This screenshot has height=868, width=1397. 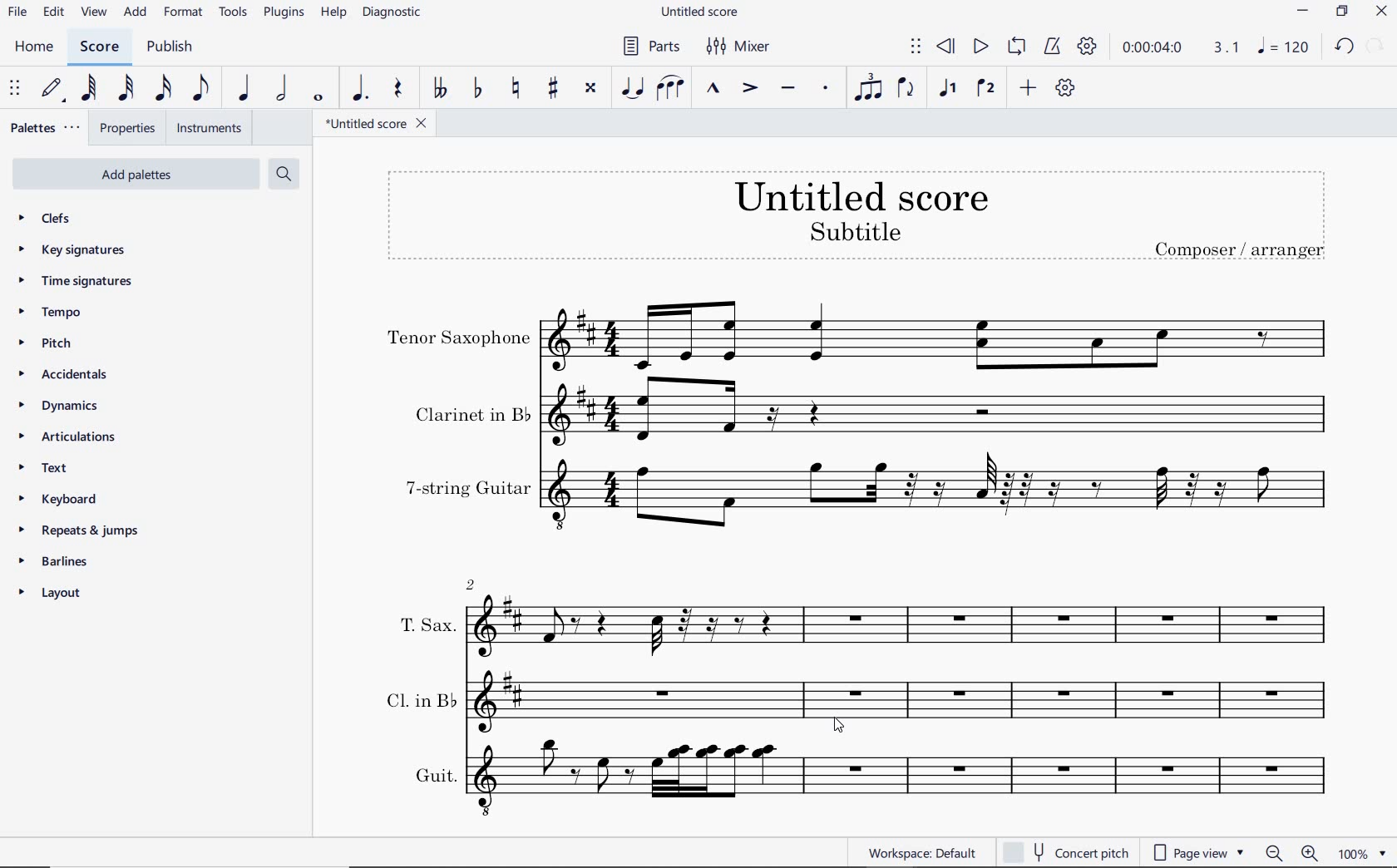 I want to click on HALF NOTE, so click(x=282, y=90).